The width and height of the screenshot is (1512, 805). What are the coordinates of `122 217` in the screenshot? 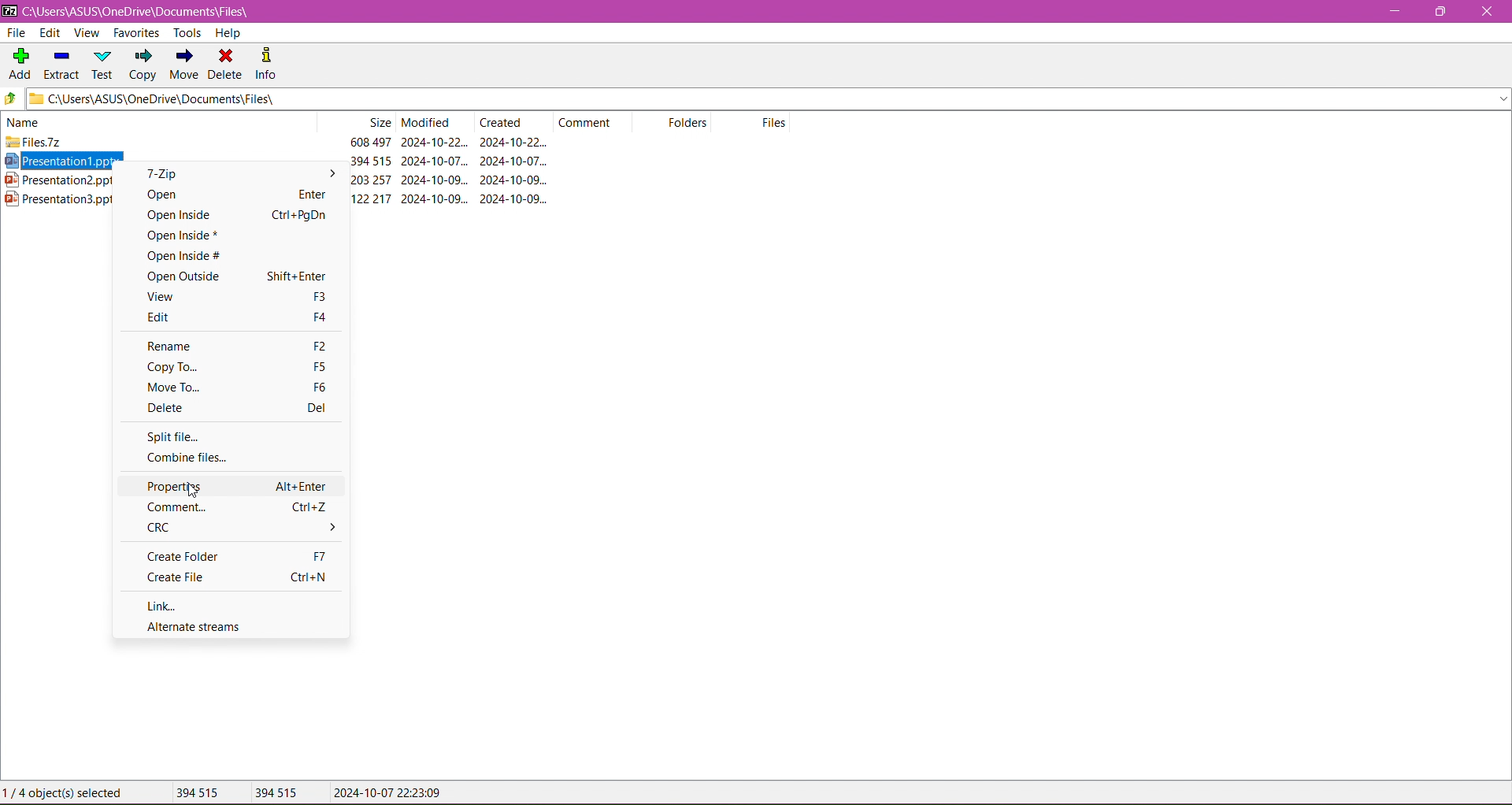 It's located at (371, 199).